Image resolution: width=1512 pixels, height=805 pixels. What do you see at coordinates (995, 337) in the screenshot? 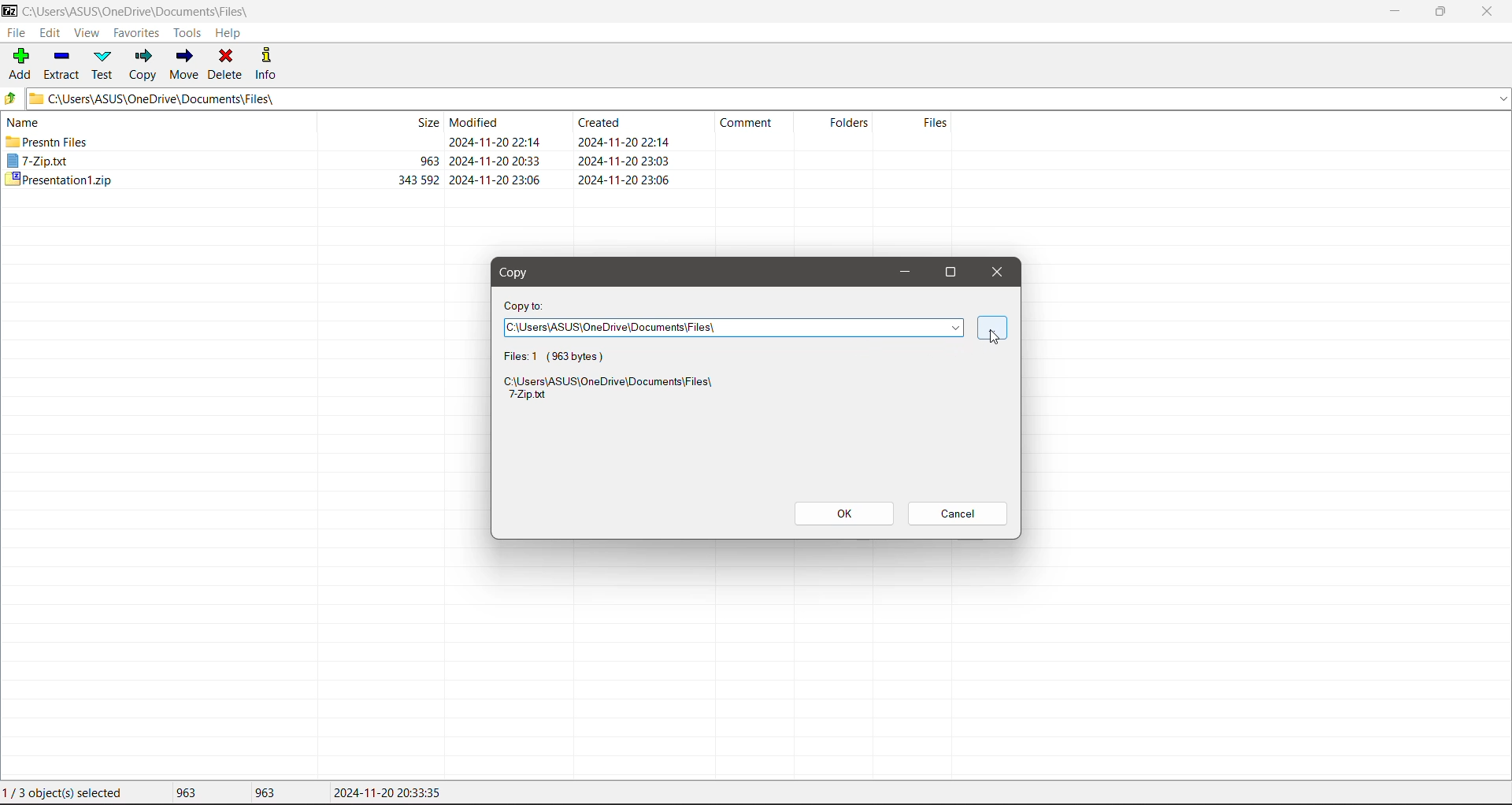
I see `cursor` at bounding box center [995, 337].